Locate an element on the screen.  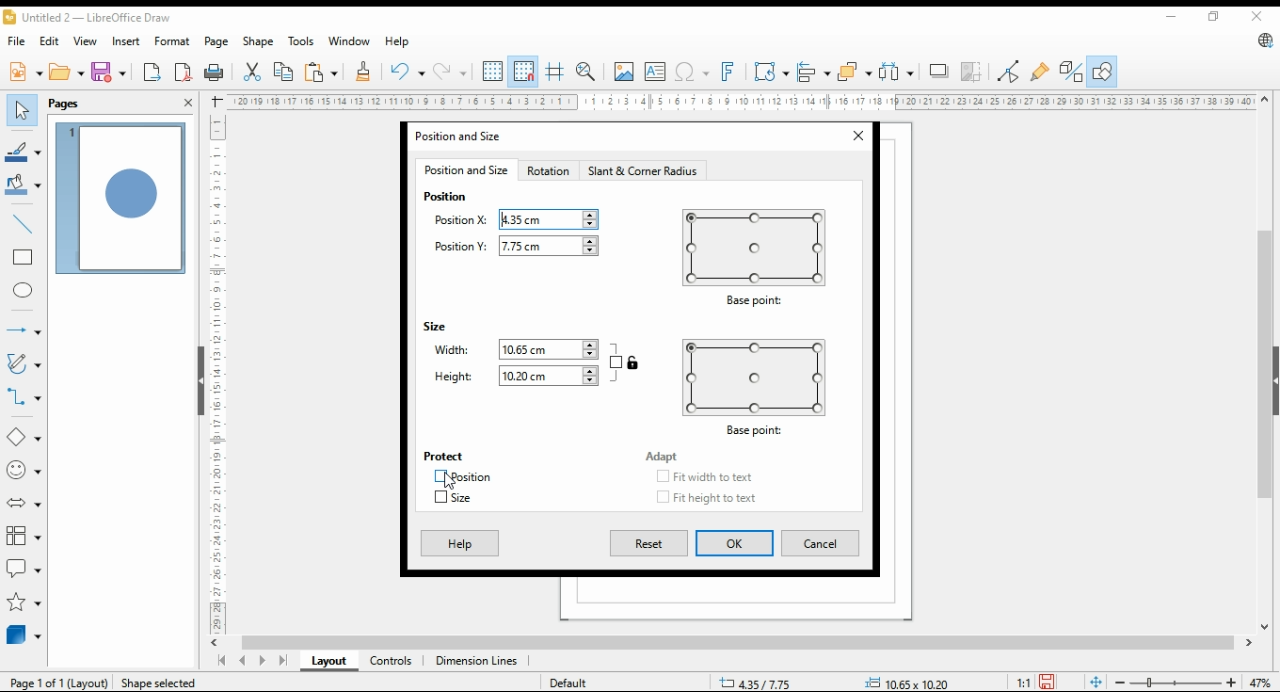
copy is located at coordinates (284, 72).